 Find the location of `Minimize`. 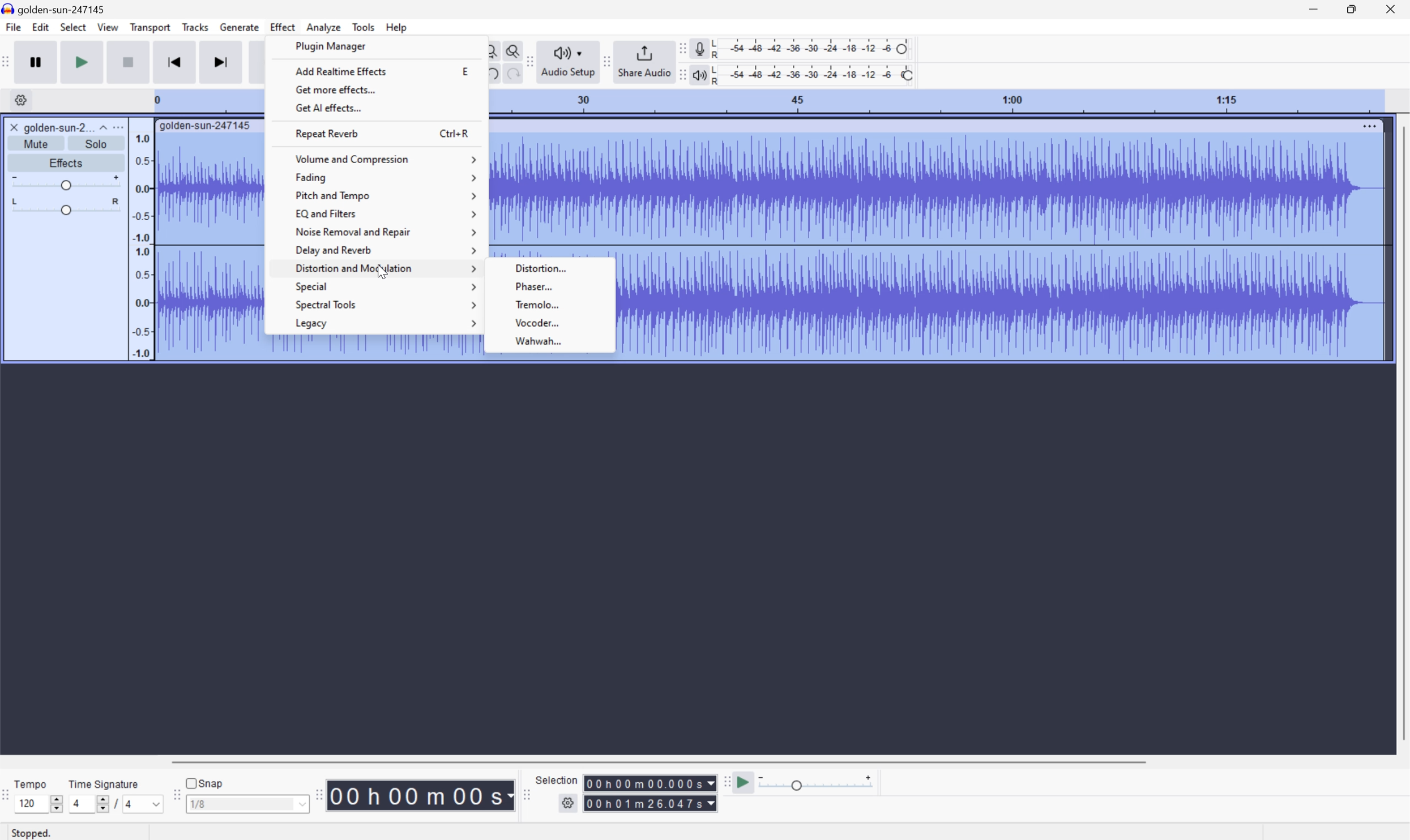

Minimize is located at coordinates (1313, 8).